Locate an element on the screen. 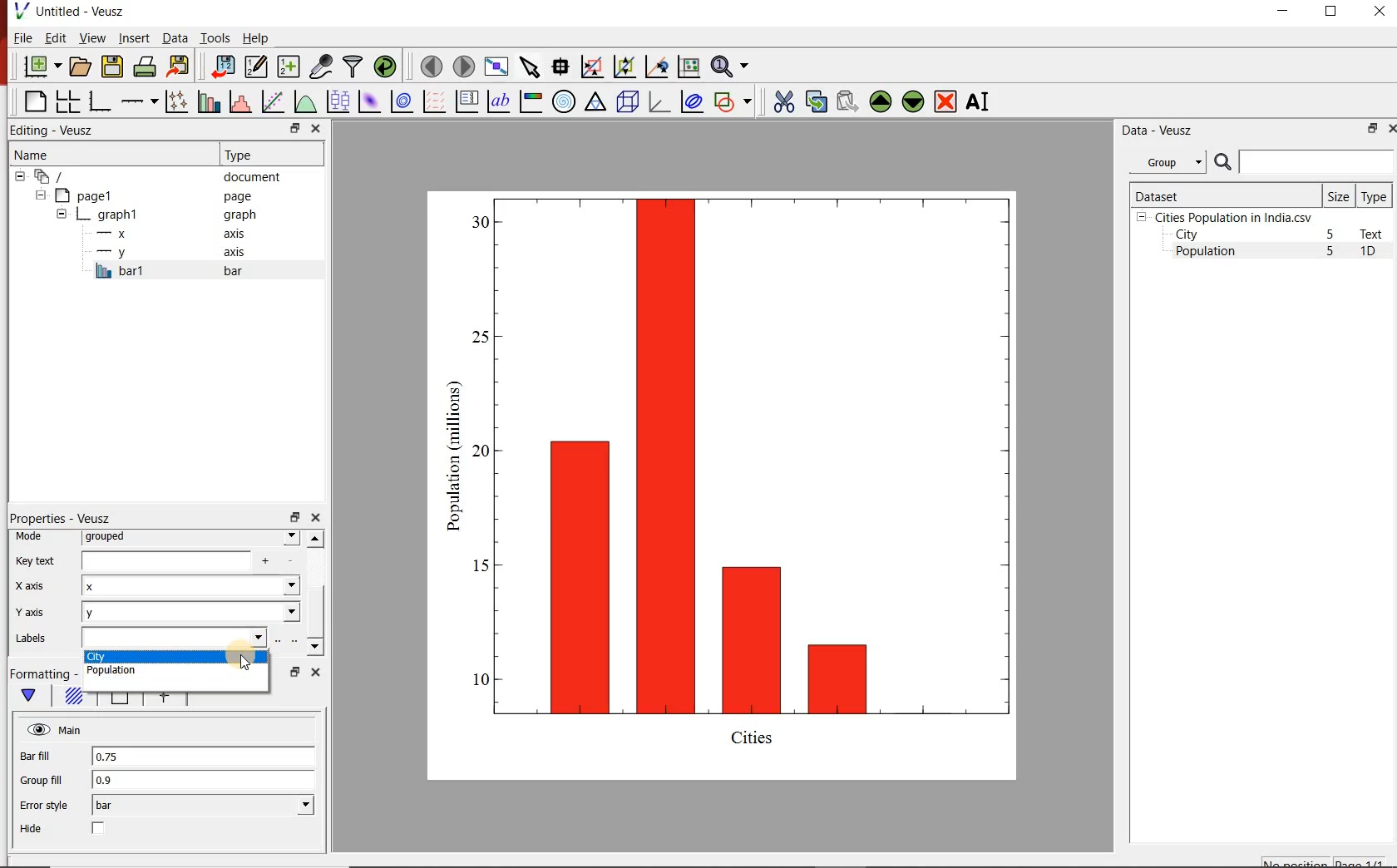  Text is located at coordinates (1375, 234).